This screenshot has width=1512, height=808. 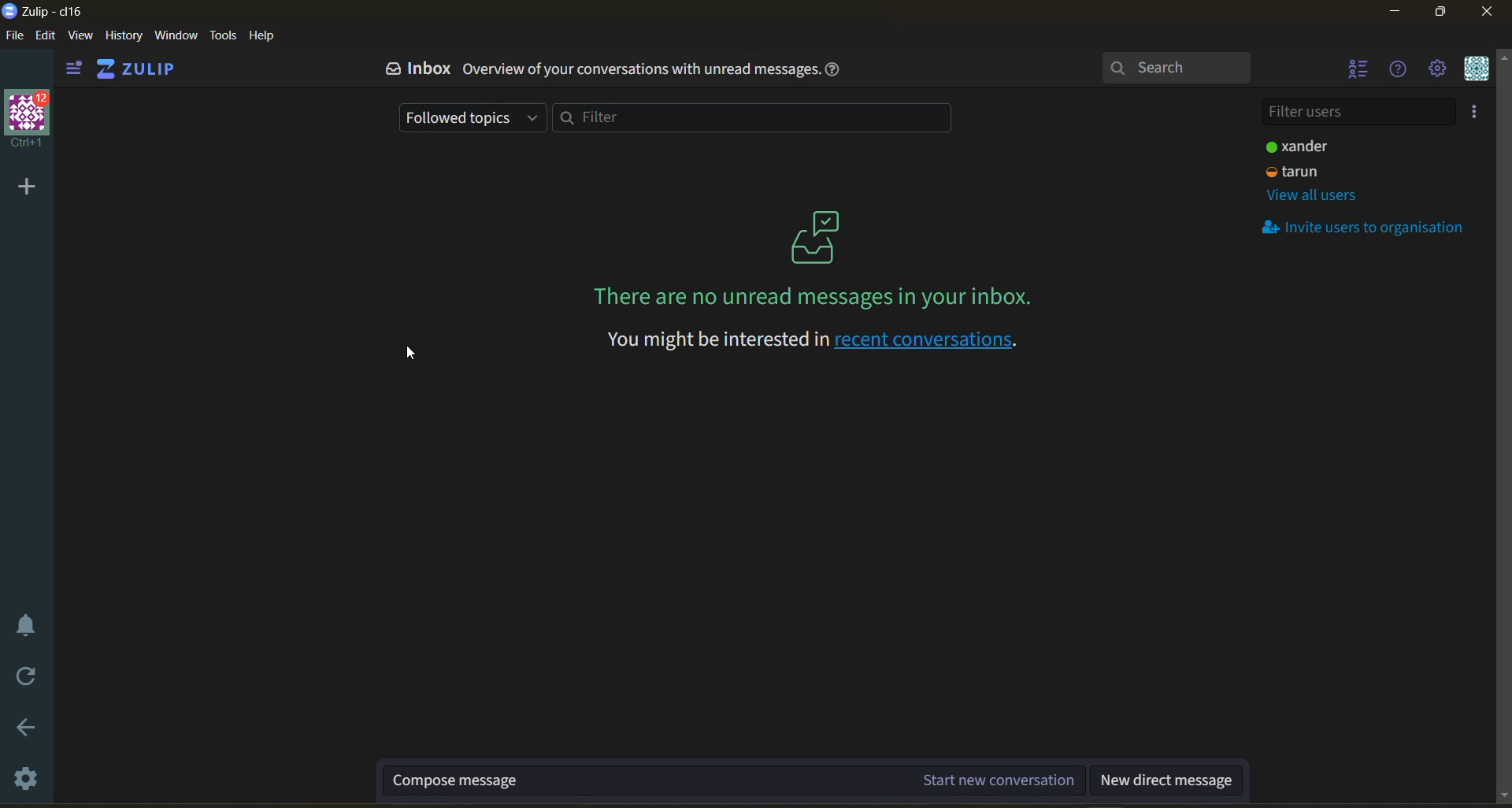 What do you see at coordinates (813, 260) in the screenshot?
I see `on screen message` at bounding box center [813, 260].